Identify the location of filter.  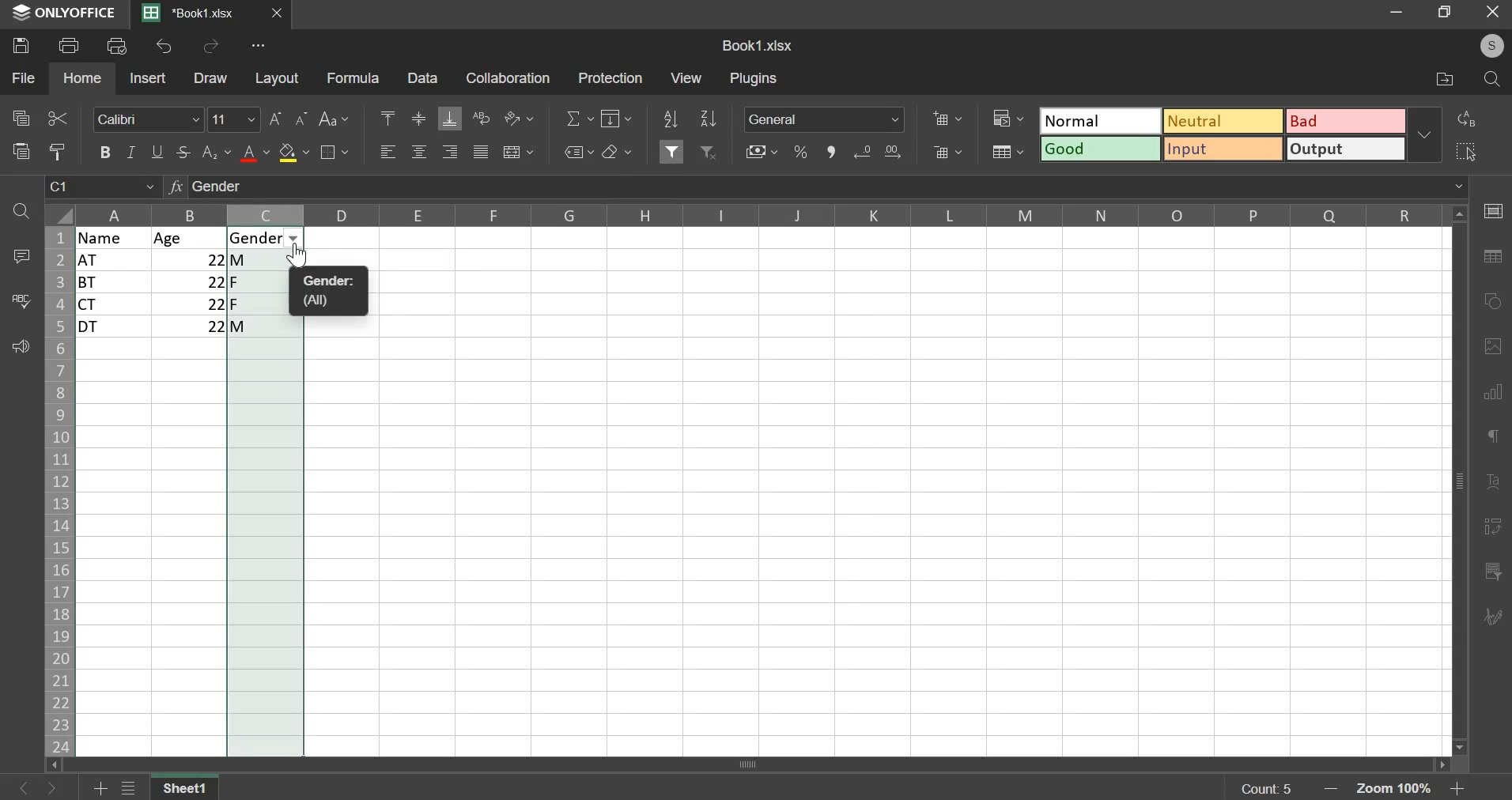
(673, 149).